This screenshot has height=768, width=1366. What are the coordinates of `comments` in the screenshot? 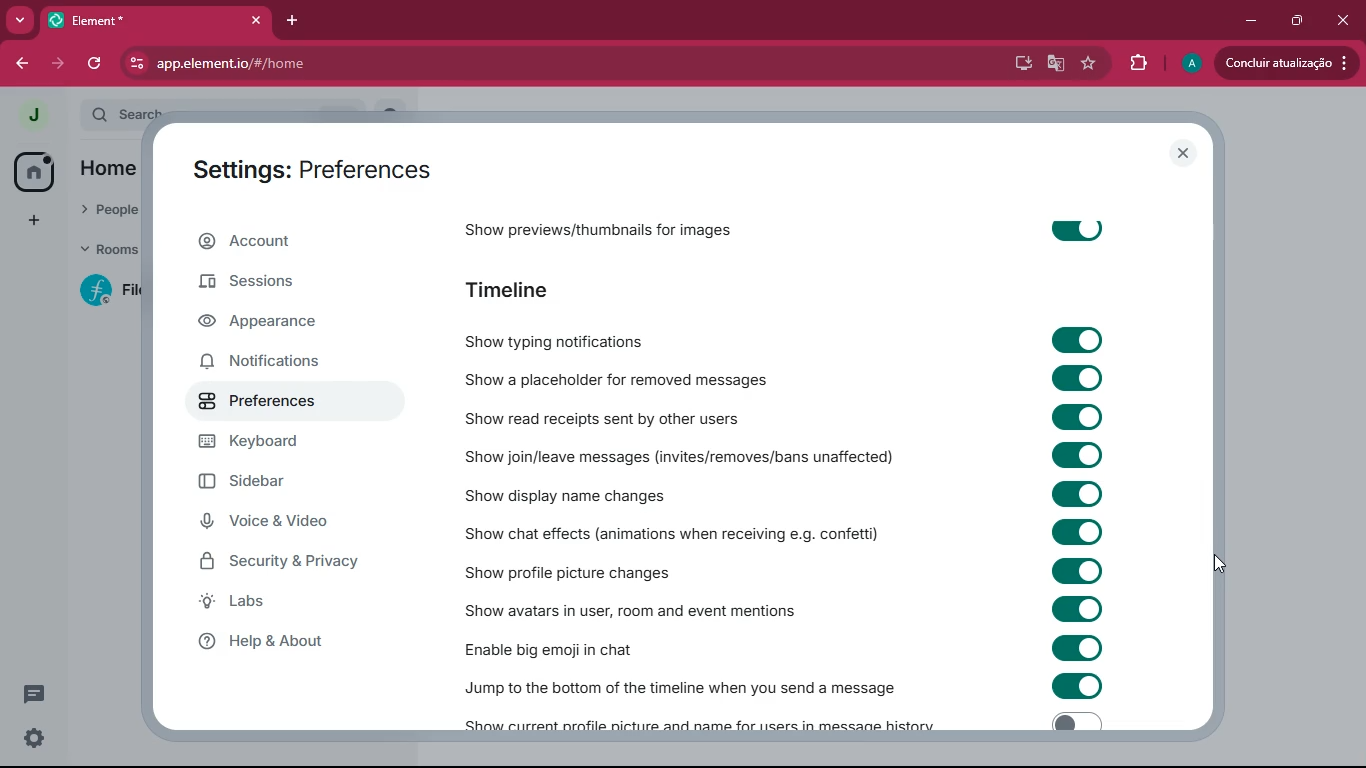 It's located at (35, 686).